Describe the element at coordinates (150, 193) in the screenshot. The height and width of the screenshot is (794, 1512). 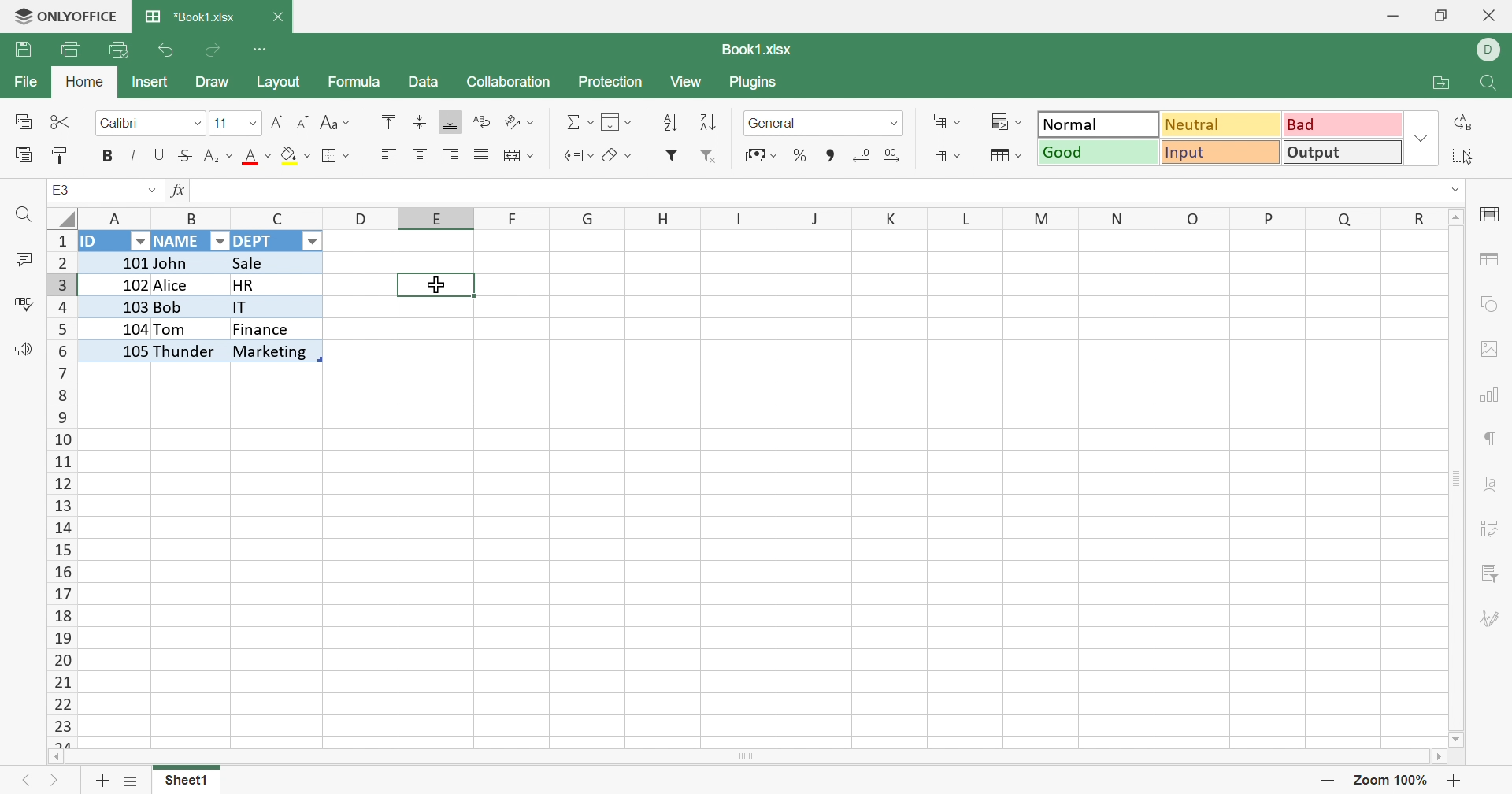
I see `Drop Down` at that location.